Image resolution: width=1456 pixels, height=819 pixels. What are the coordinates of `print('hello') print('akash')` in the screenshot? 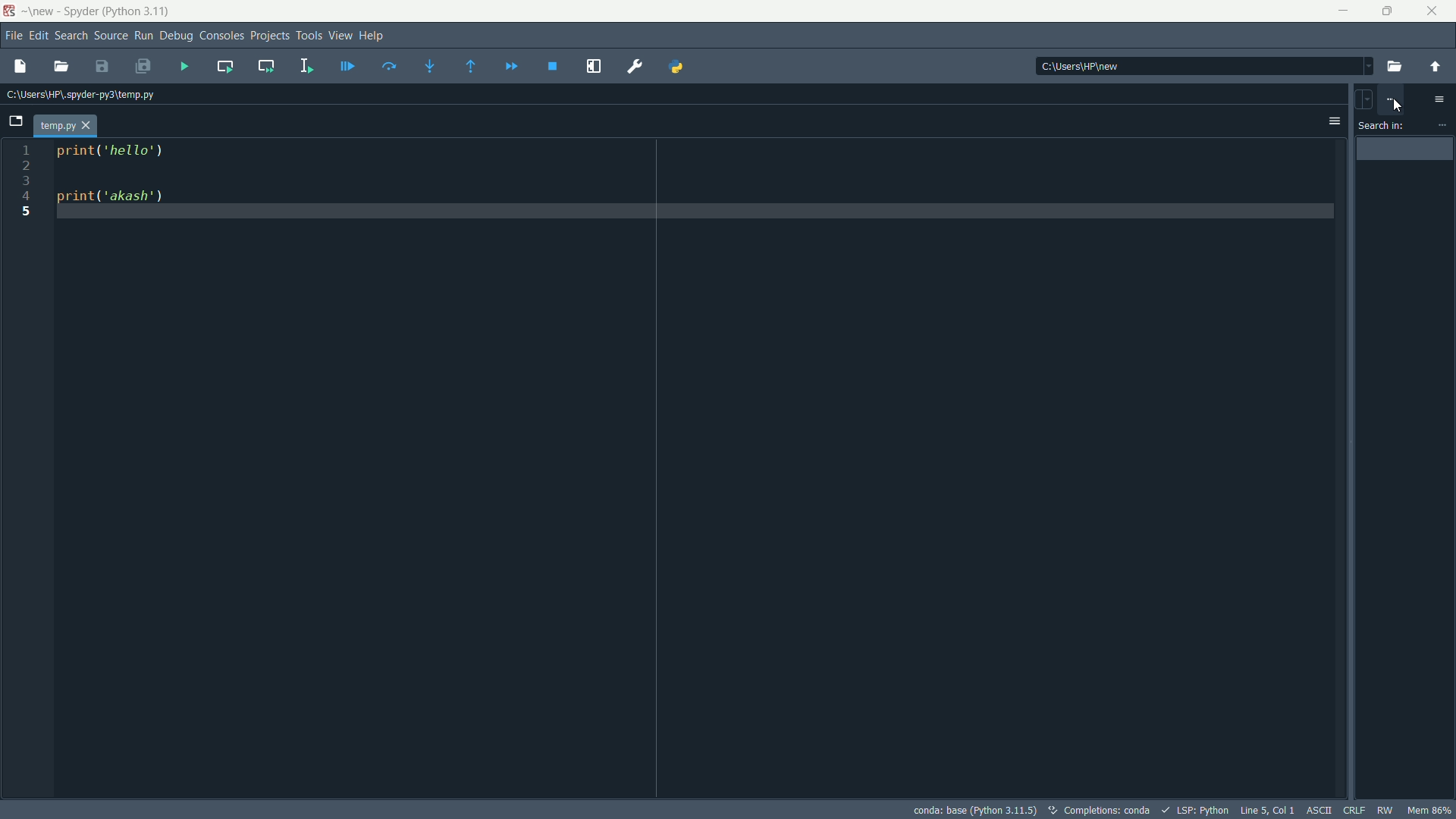 It's located at (698, 184).